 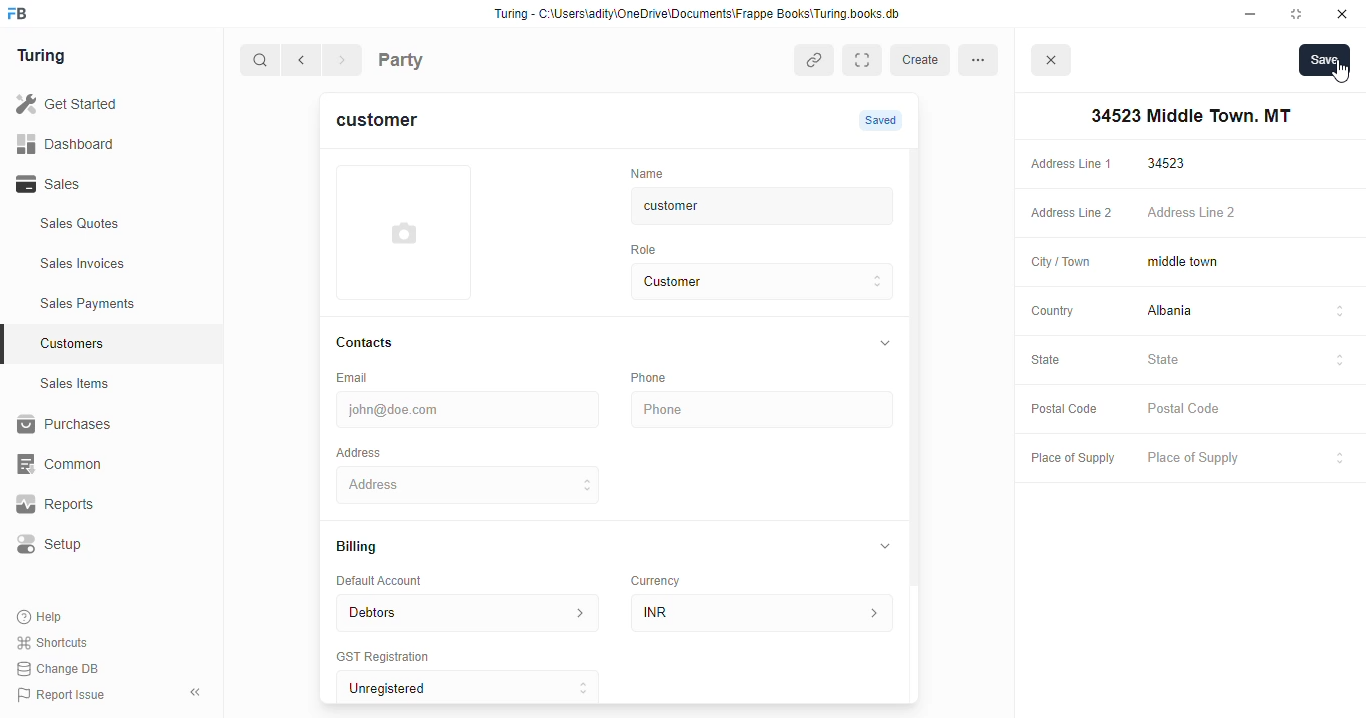 What do you see at coordinates (111, 384) in the screenshot?
I see `Sales Items.` at bounding box center [111, 384].